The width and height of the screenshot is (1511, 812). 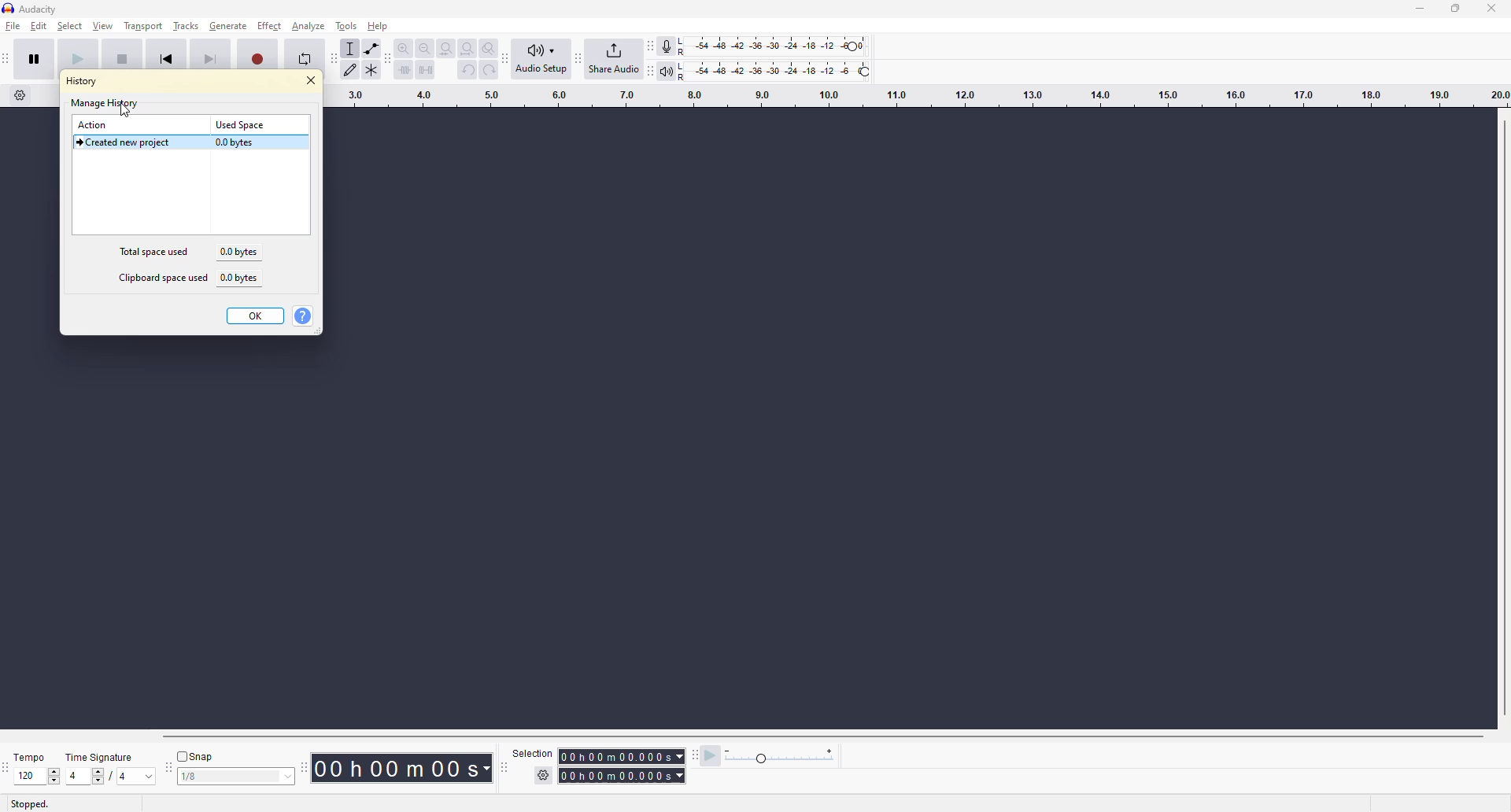 What do you see at coordinates (526, 756) in the screenshot?
I see `selection` at bounding box center [526, 756].